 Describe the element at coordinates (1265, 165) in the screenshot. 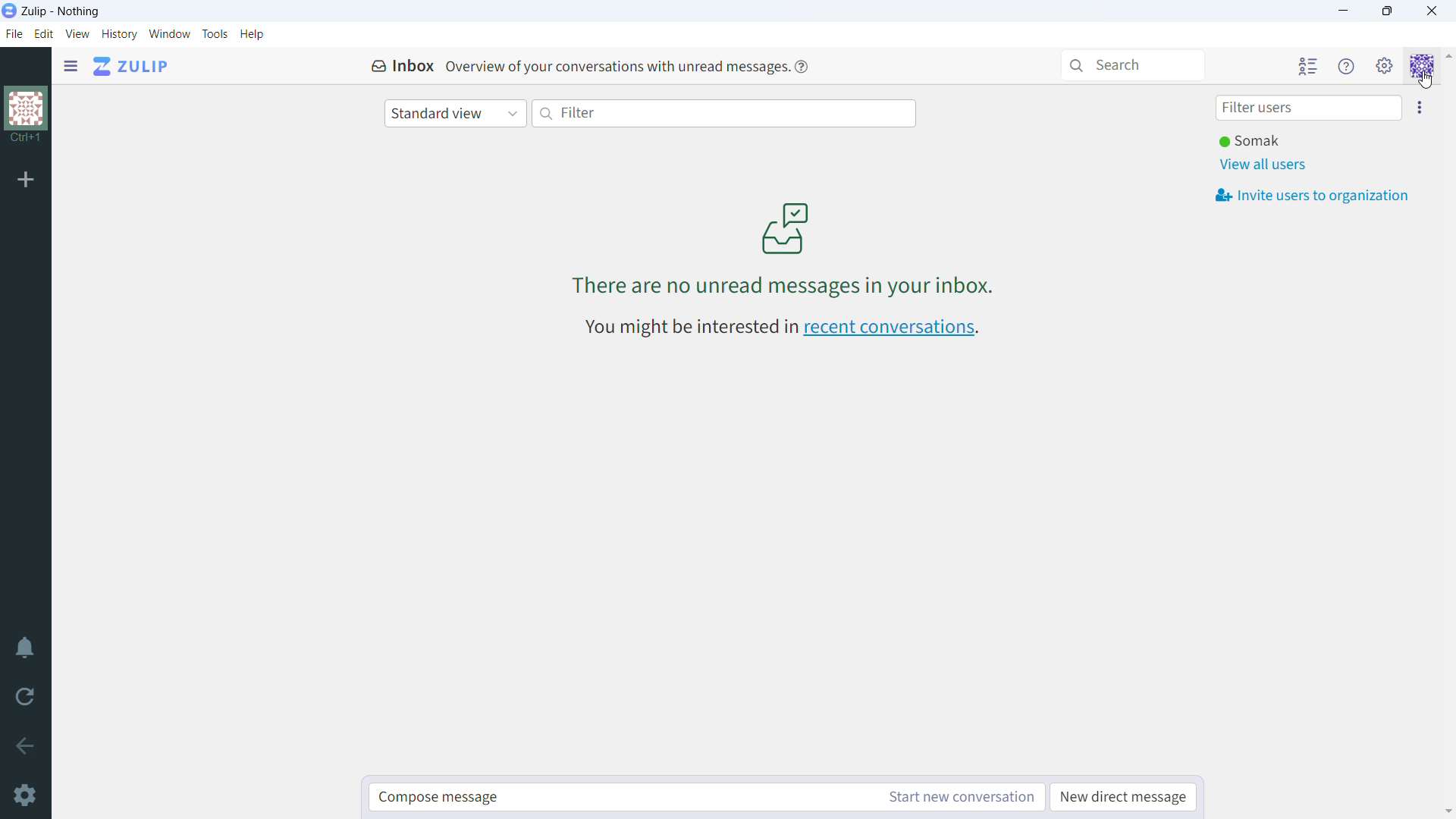

I see `view all users` at that location.